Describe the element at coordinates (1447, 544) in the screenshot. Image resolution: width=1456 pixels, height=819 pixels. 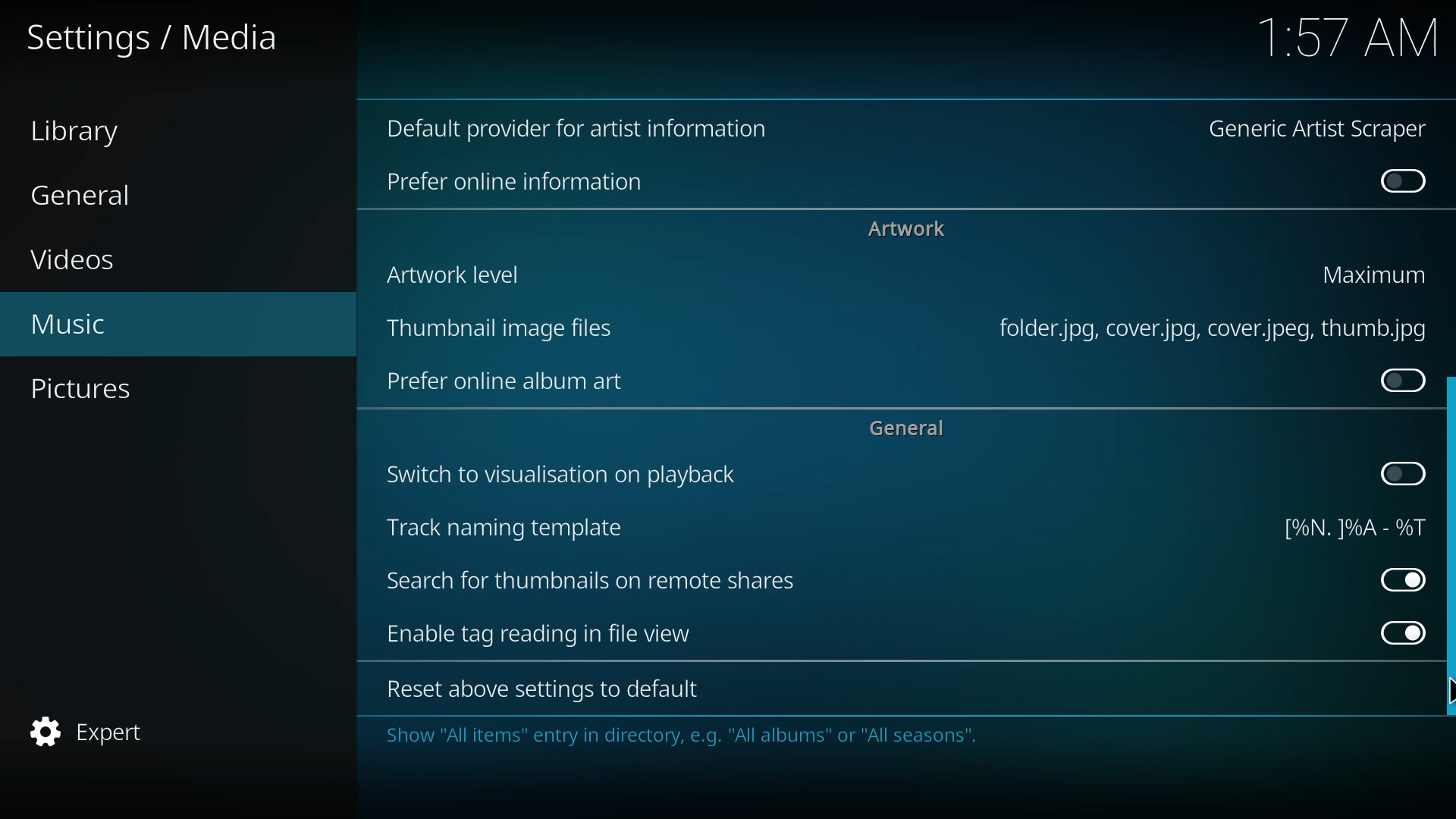
I see `scroll bar` at that location.